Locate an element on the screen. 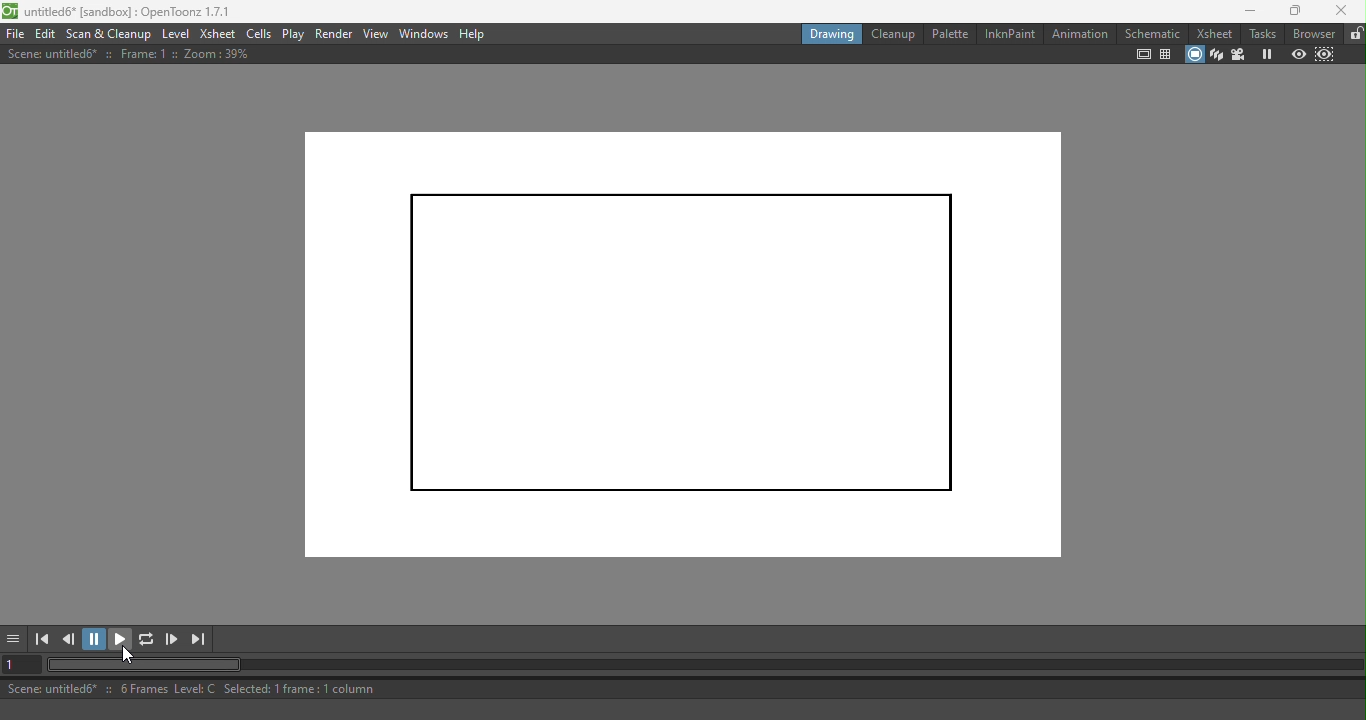  Previous frame is located at coordinates (69, 640).